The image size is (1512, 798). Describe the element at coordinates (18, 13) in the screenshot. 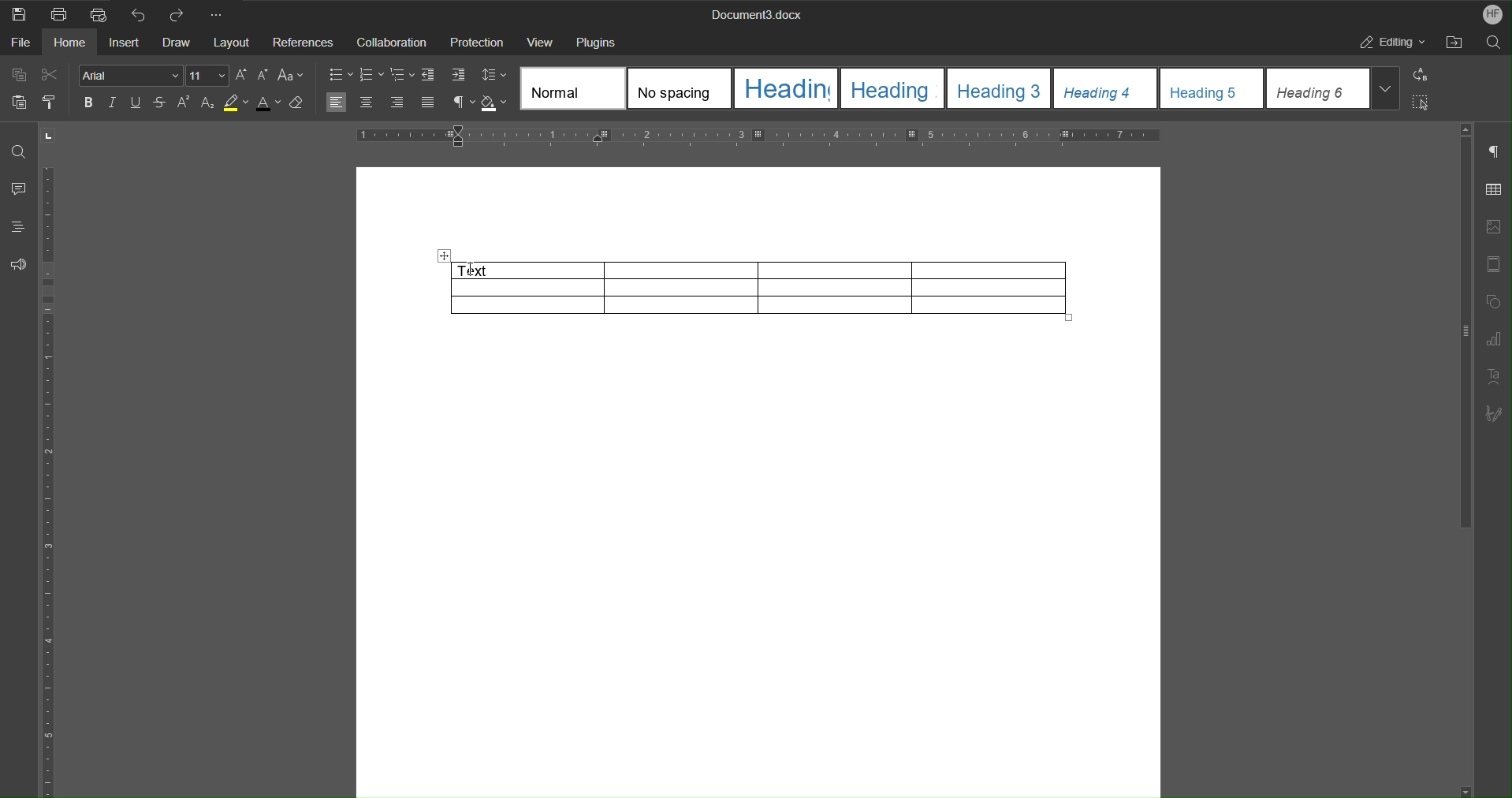

I see `Save` at that location.